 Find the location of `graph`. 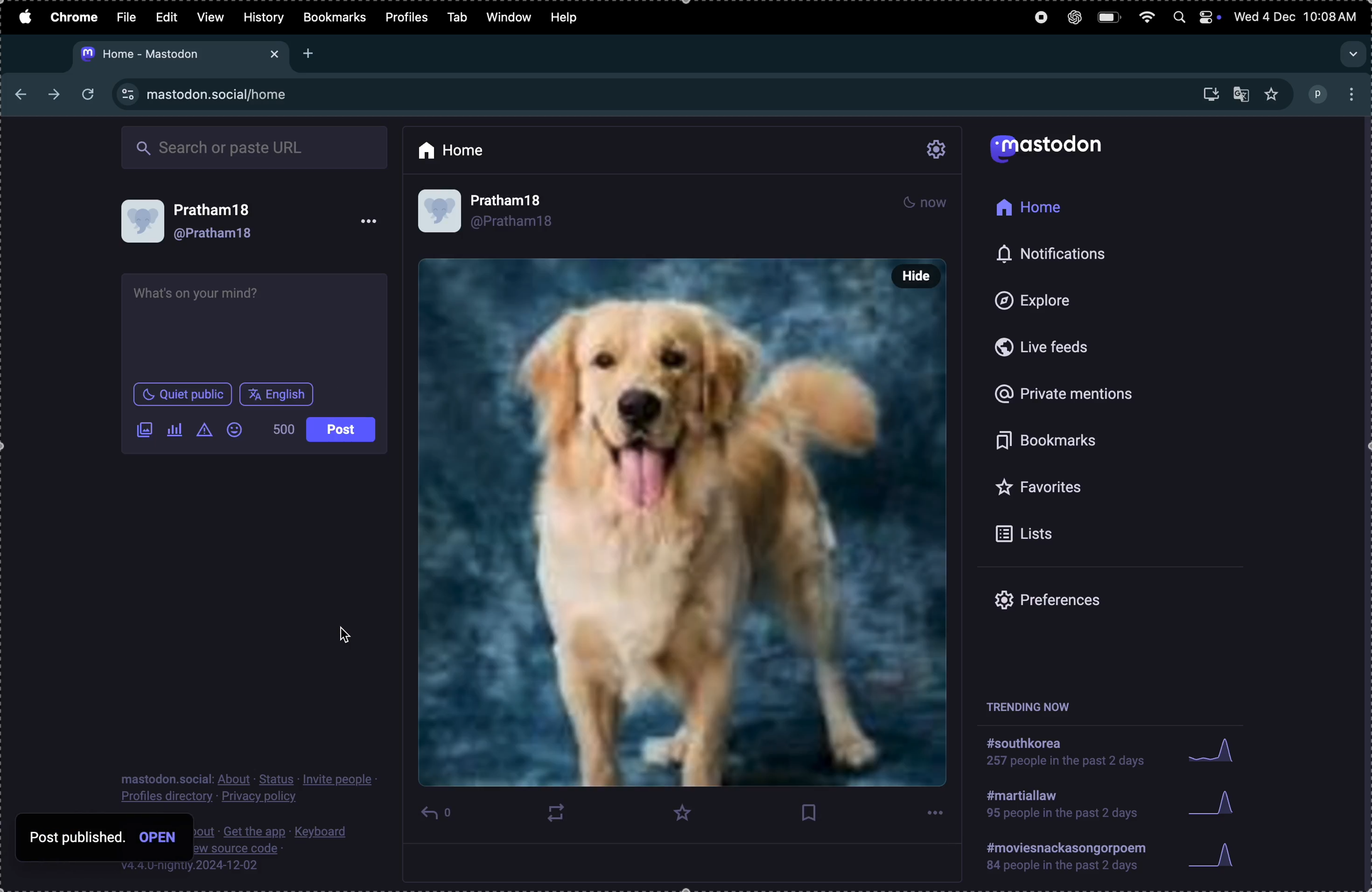

graph is located at coordinates (1217, 857).